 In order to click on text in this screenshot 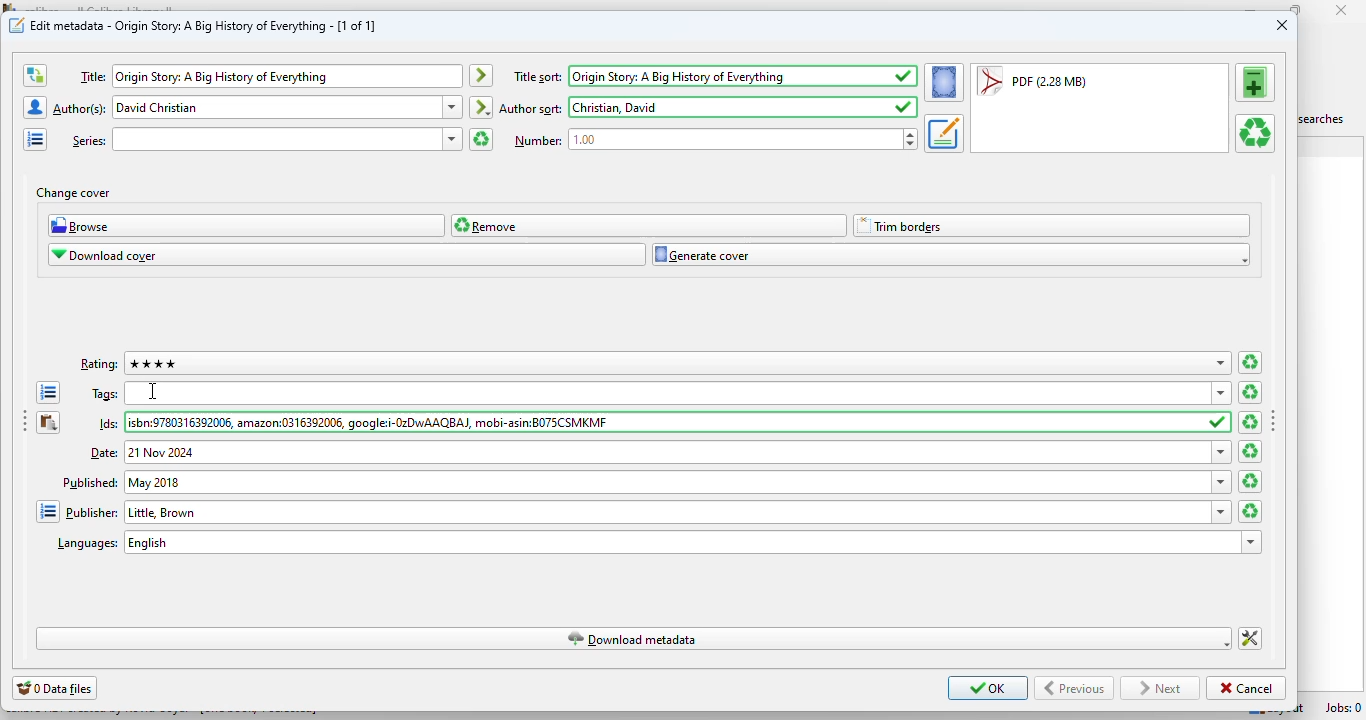, I will do `click(89, 481)`.